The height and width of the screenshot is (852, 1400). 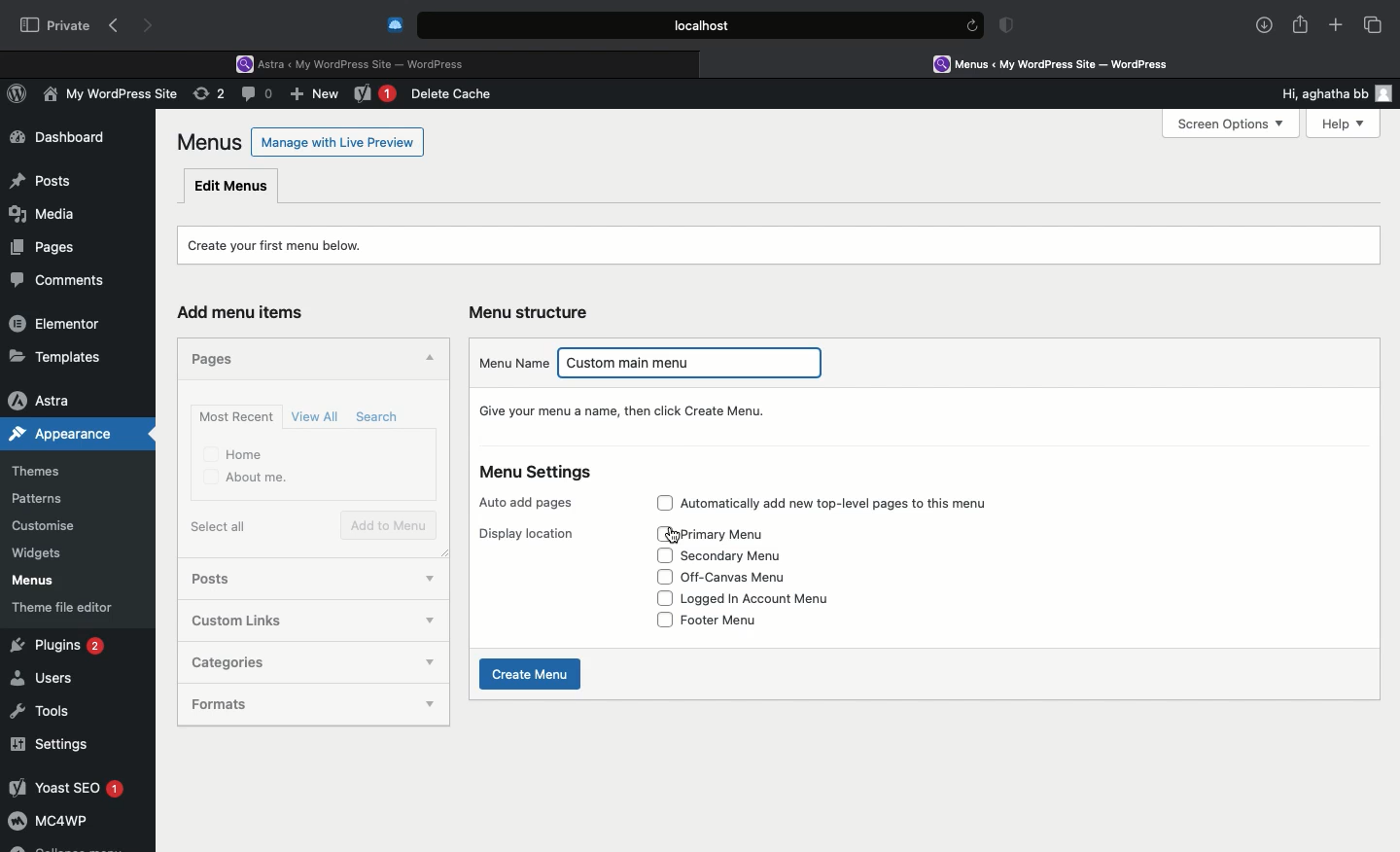 What do you see at coordinates (40, 176) in the screenshot?
I see `Posts` at bounding box center [40, 176].